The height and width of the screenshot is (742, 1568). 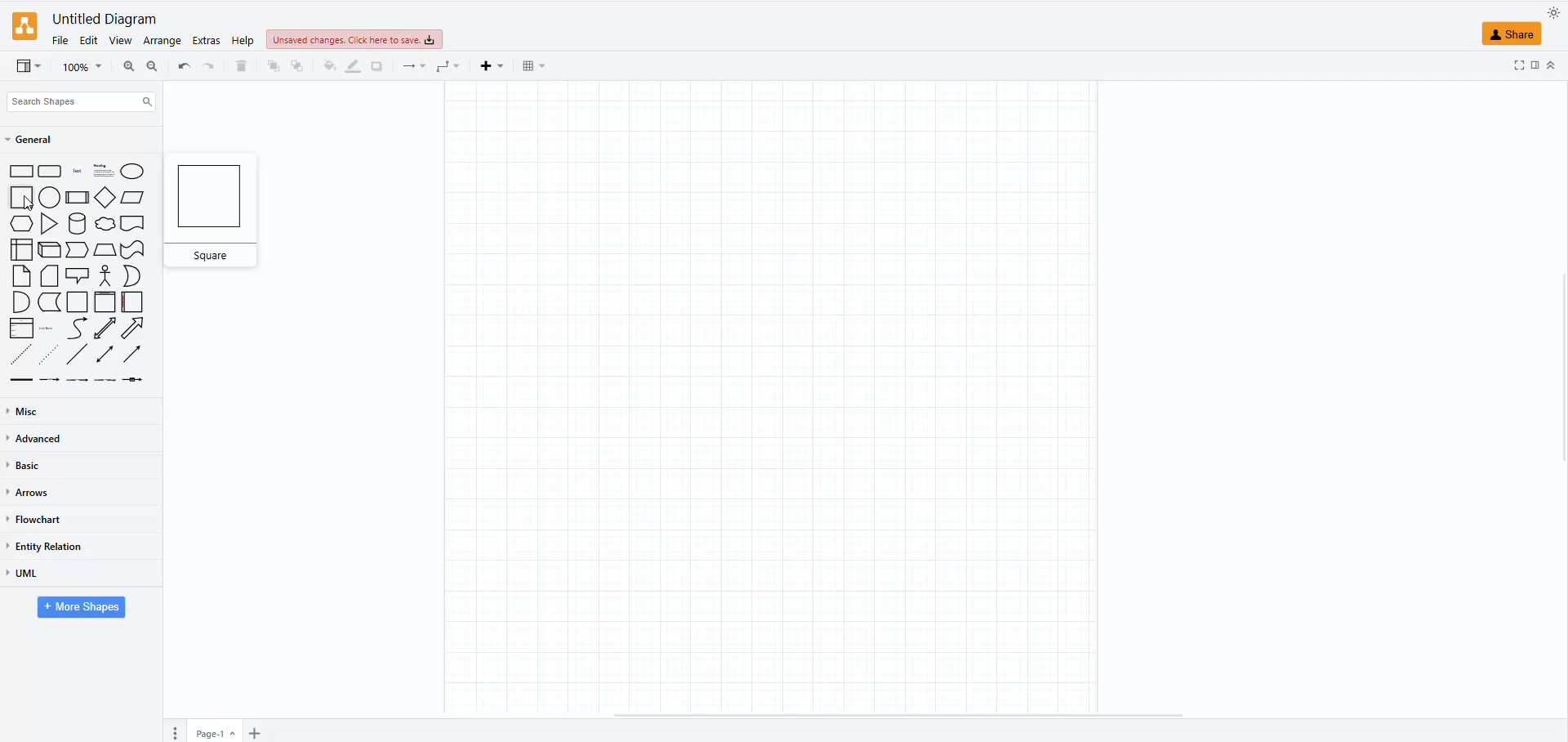 I want to click on insert, so click(x=492, y=65).